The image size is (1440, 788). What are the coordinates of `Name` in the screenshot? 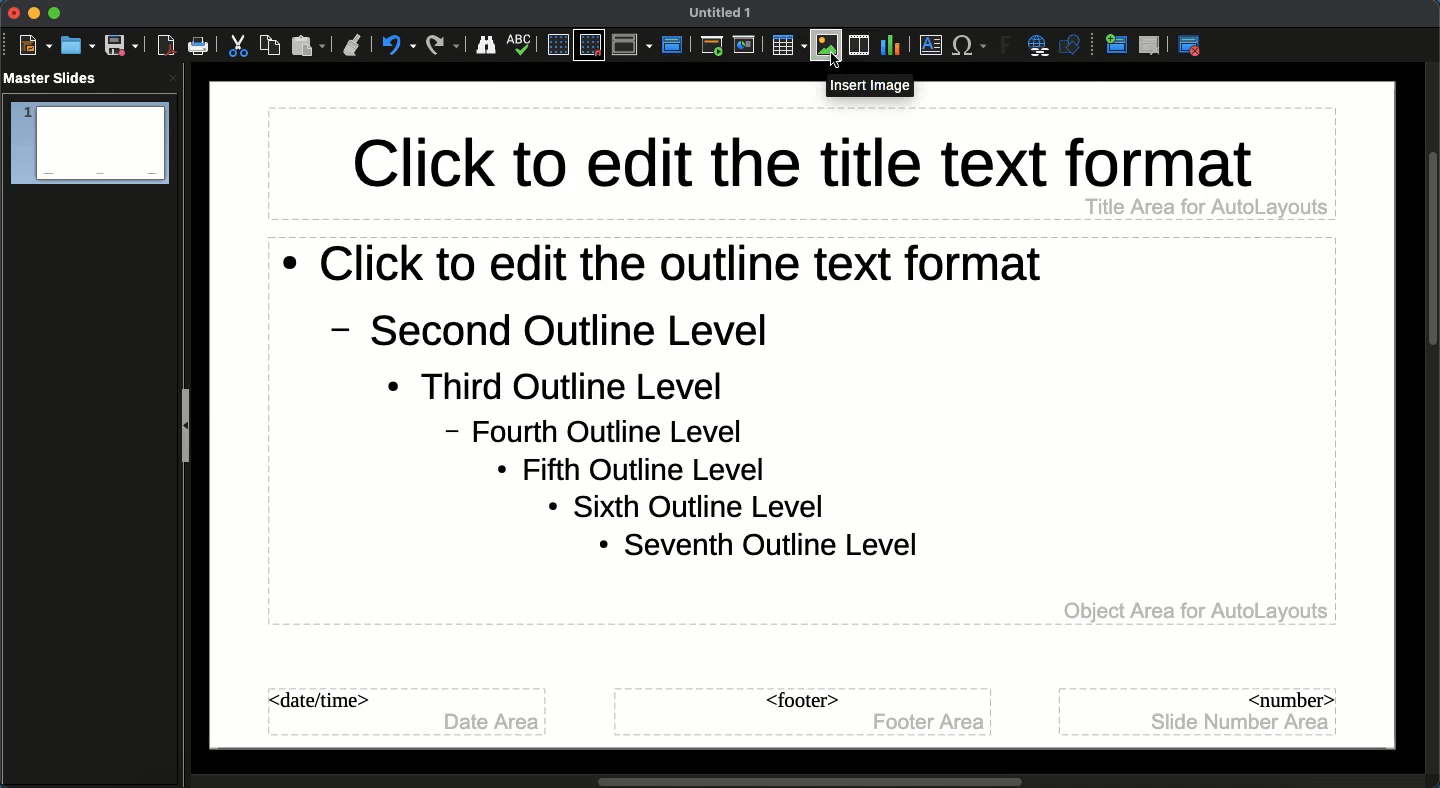 It's located at (716, 12).